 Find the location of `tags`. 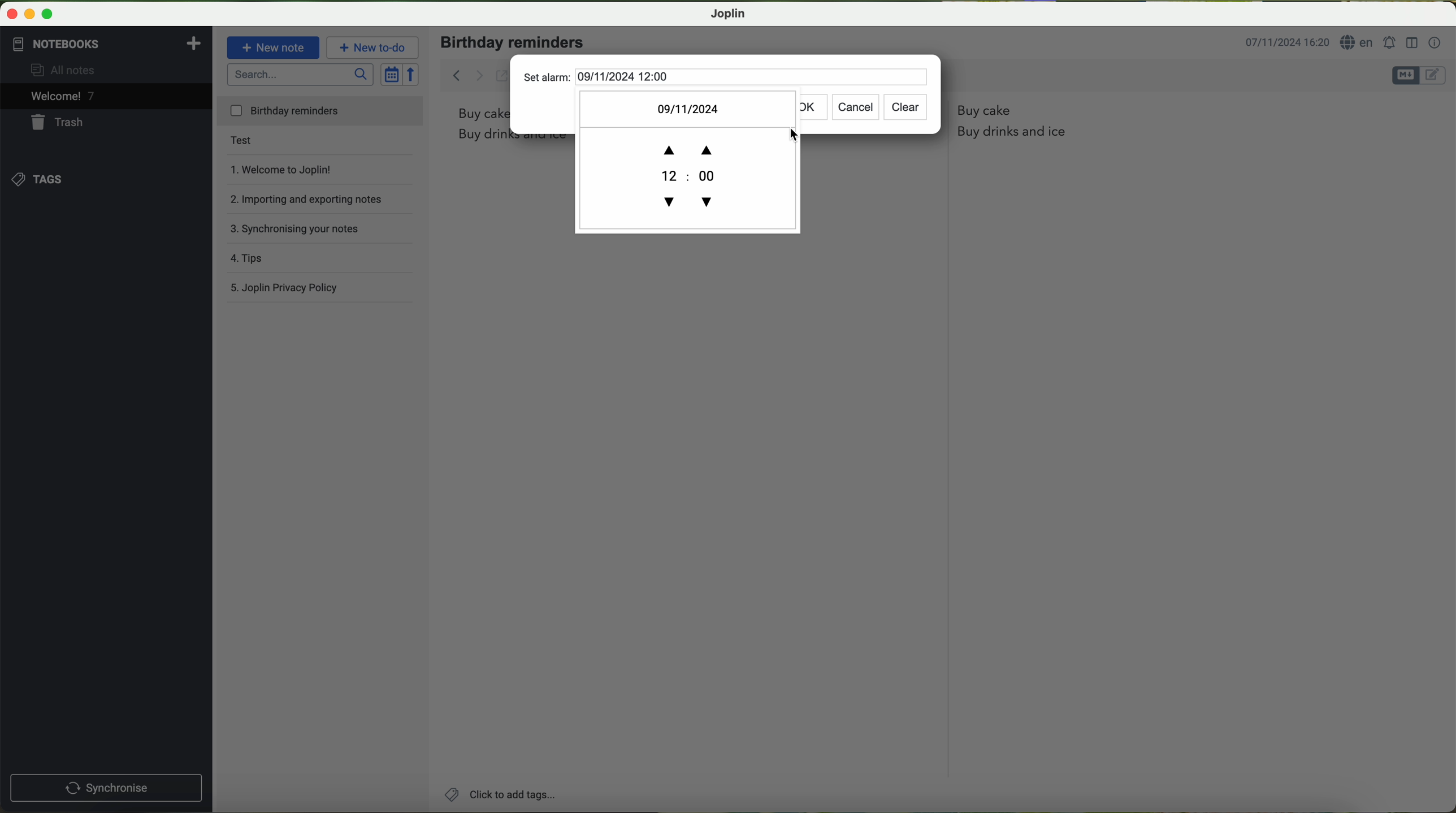

tags is located at coordinates (42, 178).